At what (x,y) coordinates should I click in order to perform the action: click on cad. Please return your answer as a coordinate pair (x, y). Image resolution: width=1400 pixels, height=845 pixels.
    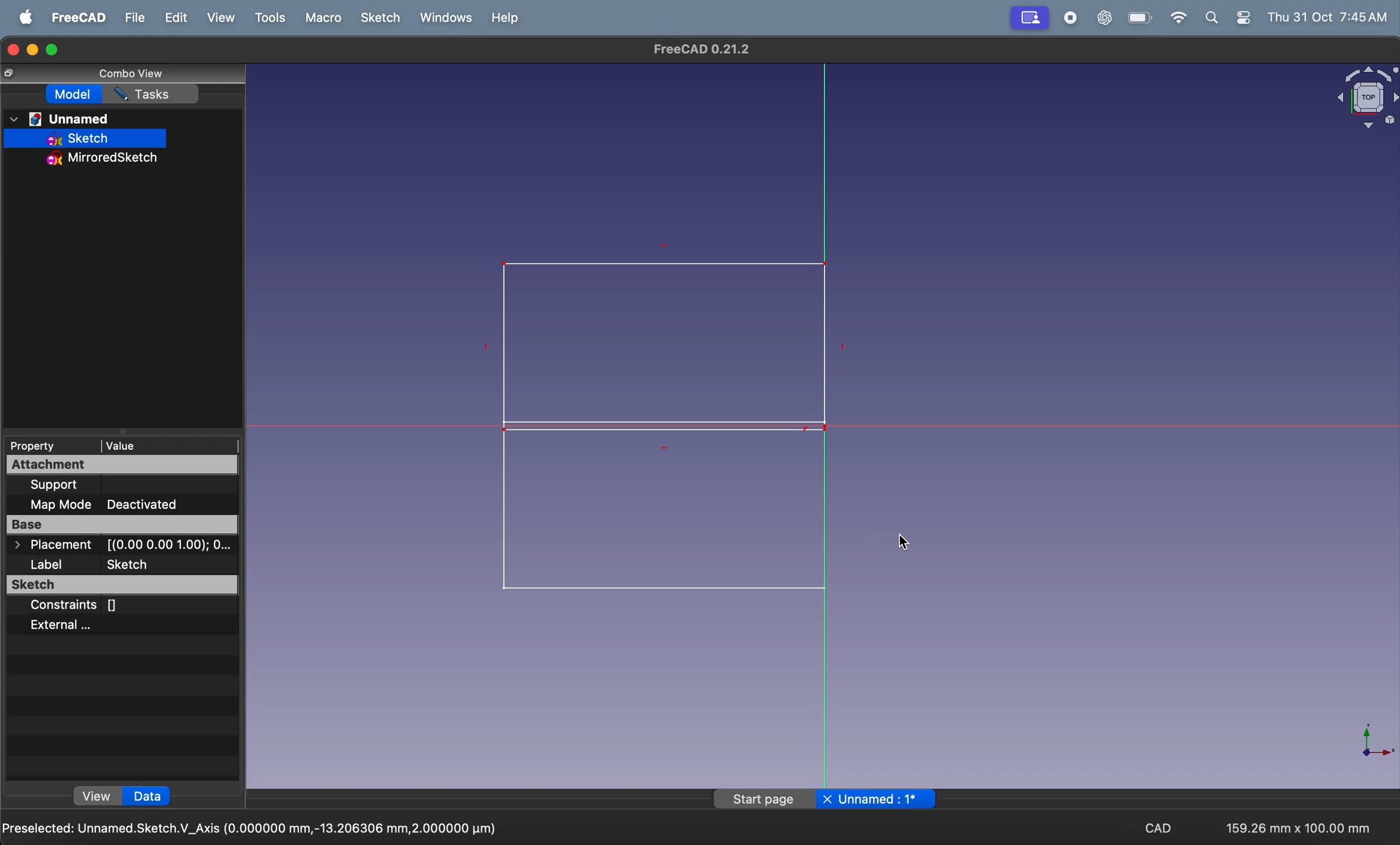
    Looking at the image, I should click on (1153, 825).